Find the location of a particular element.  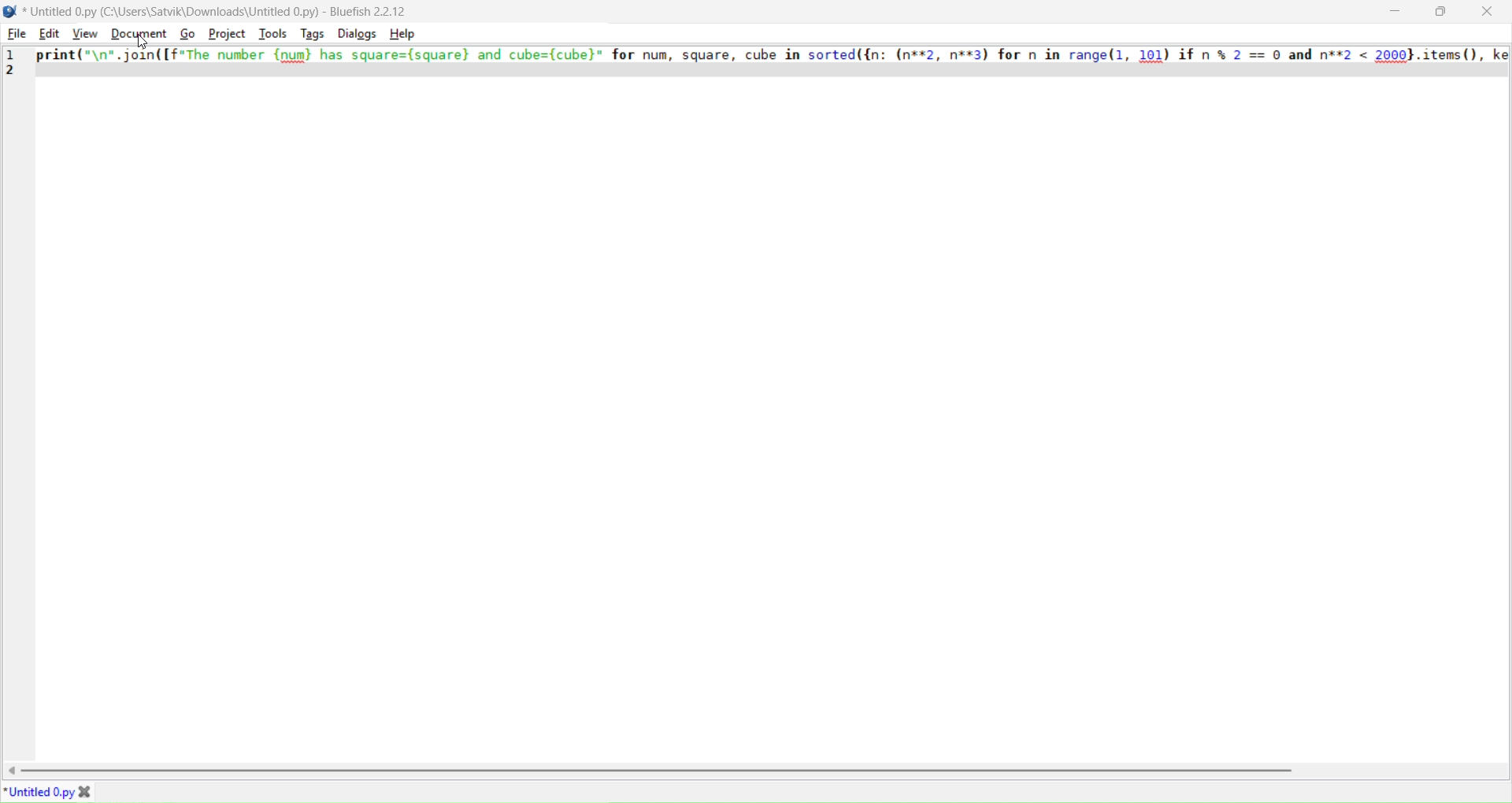

move left is located at coordinates (13, 772).